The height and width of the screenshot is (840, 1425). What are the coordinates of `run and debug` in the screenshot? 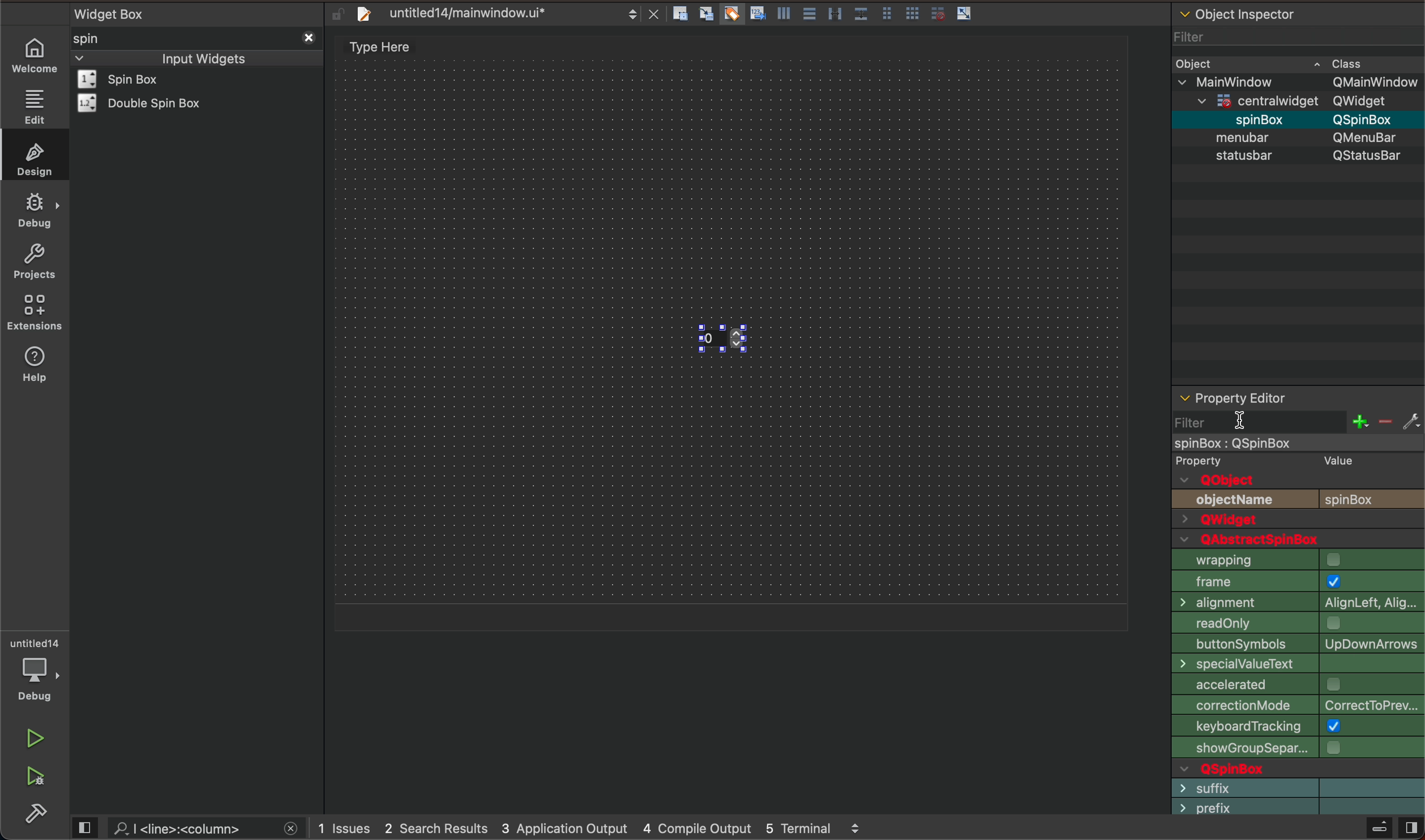 It's located at (37, 779).